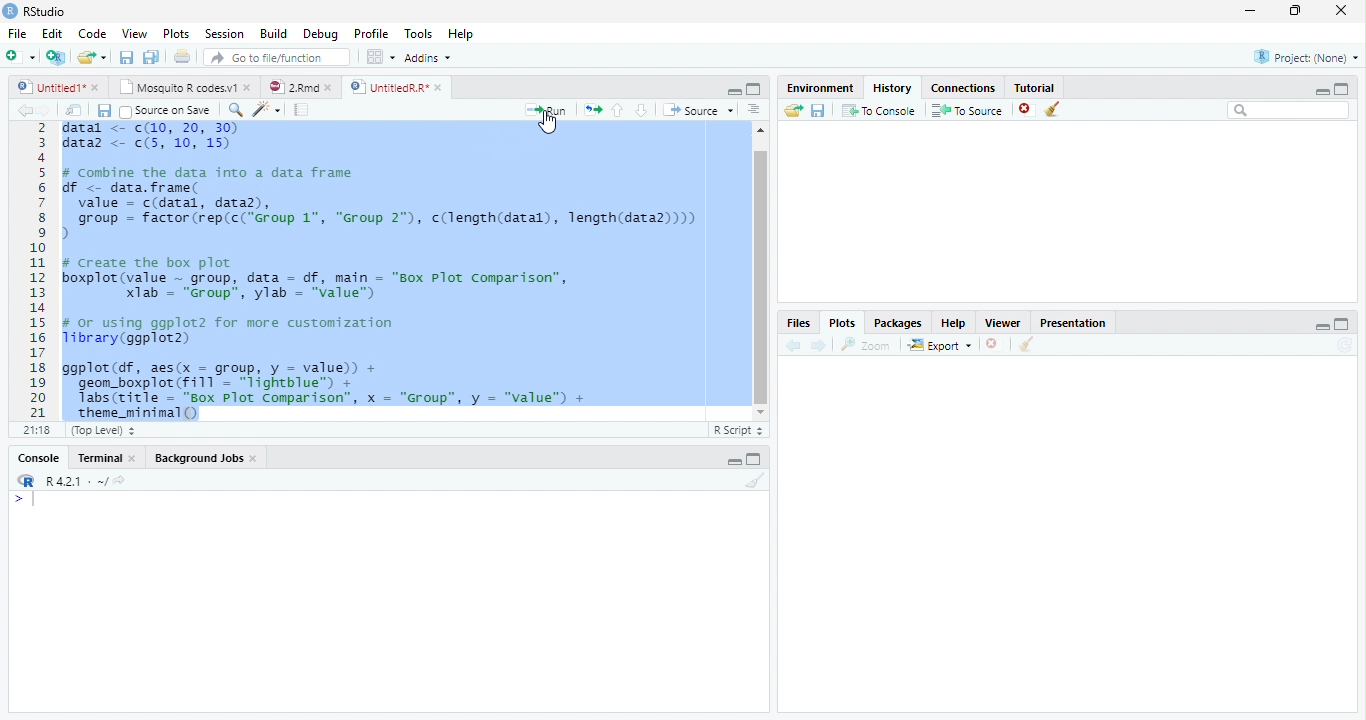 This screenshot has width=1366, height=720. I want to click on Minimize, so click(1321, 326).